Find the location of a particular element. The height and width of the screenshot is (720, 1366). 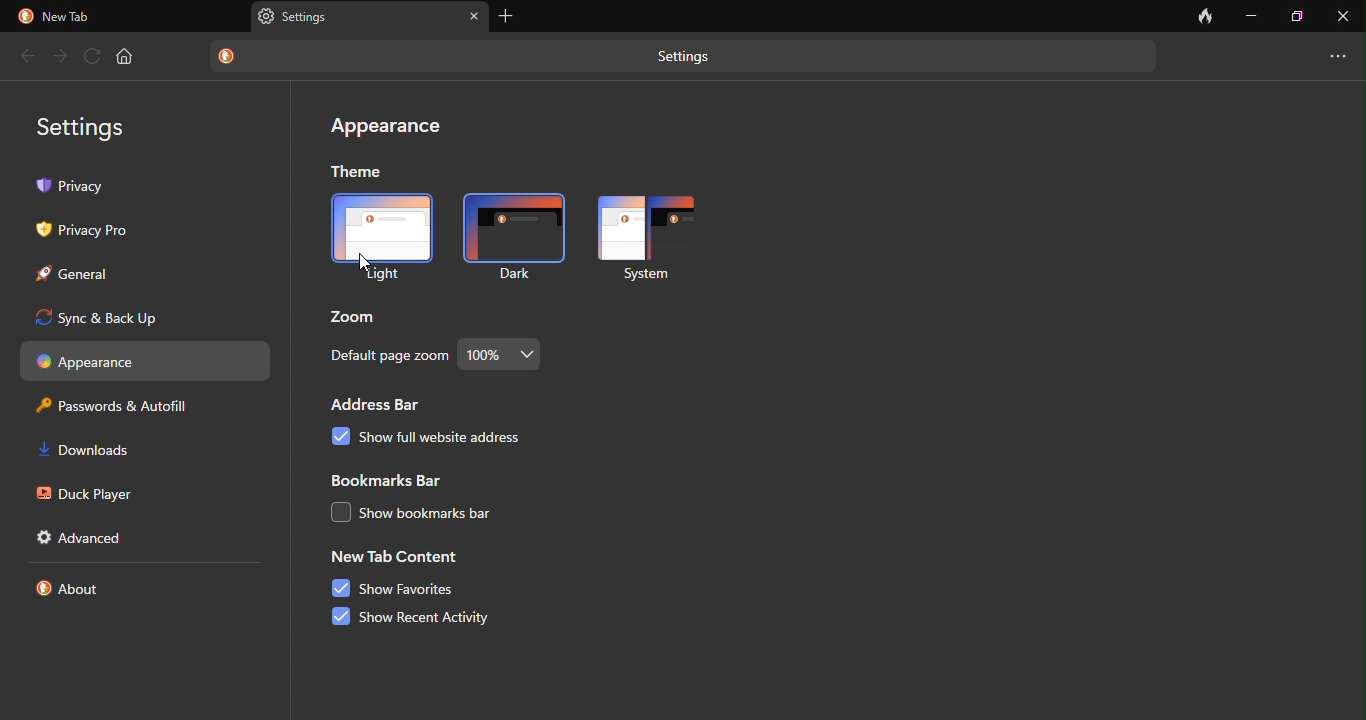

default zoom 100% is located at coordinates (506, 353).